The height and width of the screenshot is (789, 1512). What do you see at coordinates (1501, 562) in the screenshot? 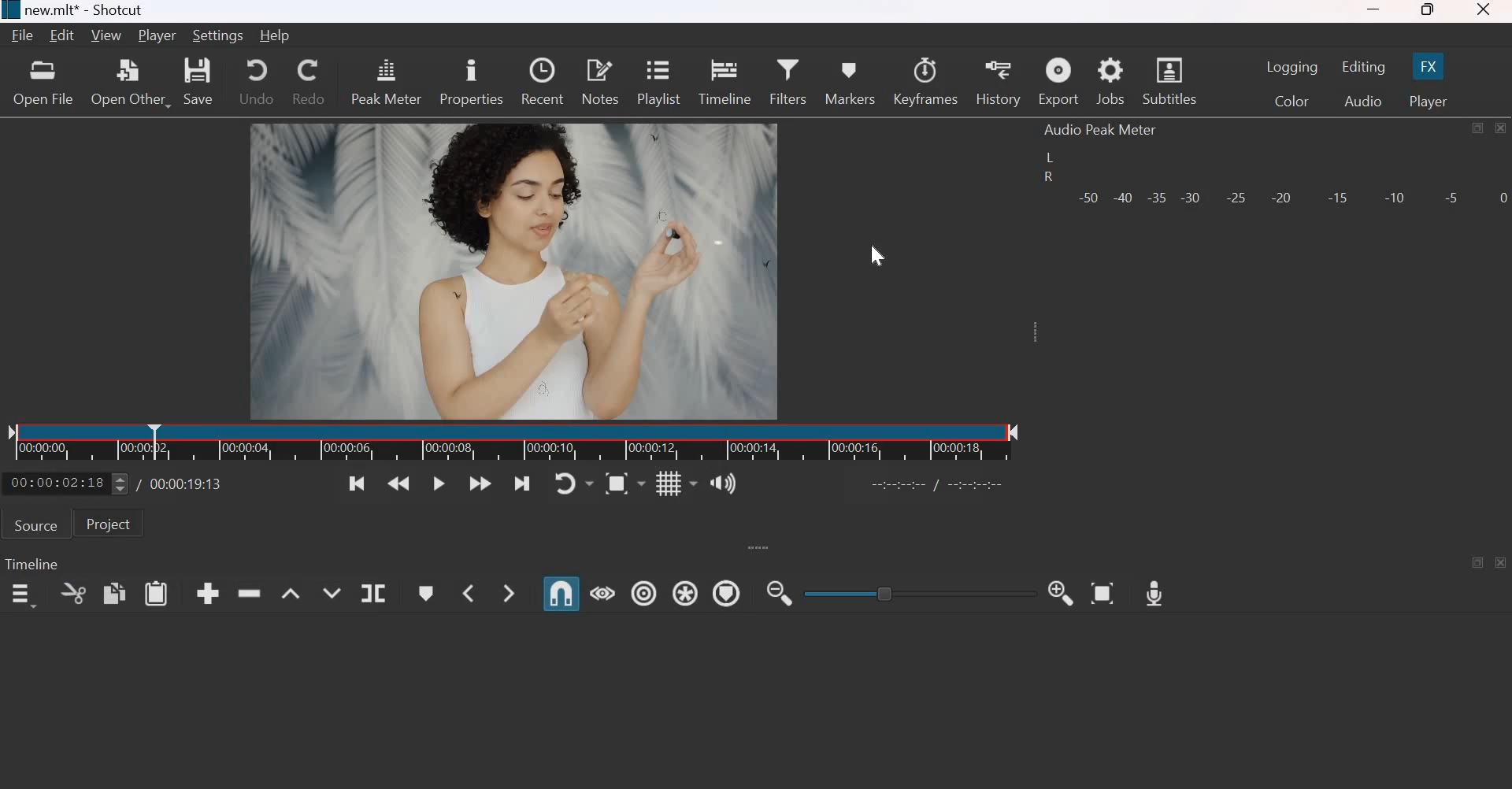
I see `close` at bounding box center [1501, 562].